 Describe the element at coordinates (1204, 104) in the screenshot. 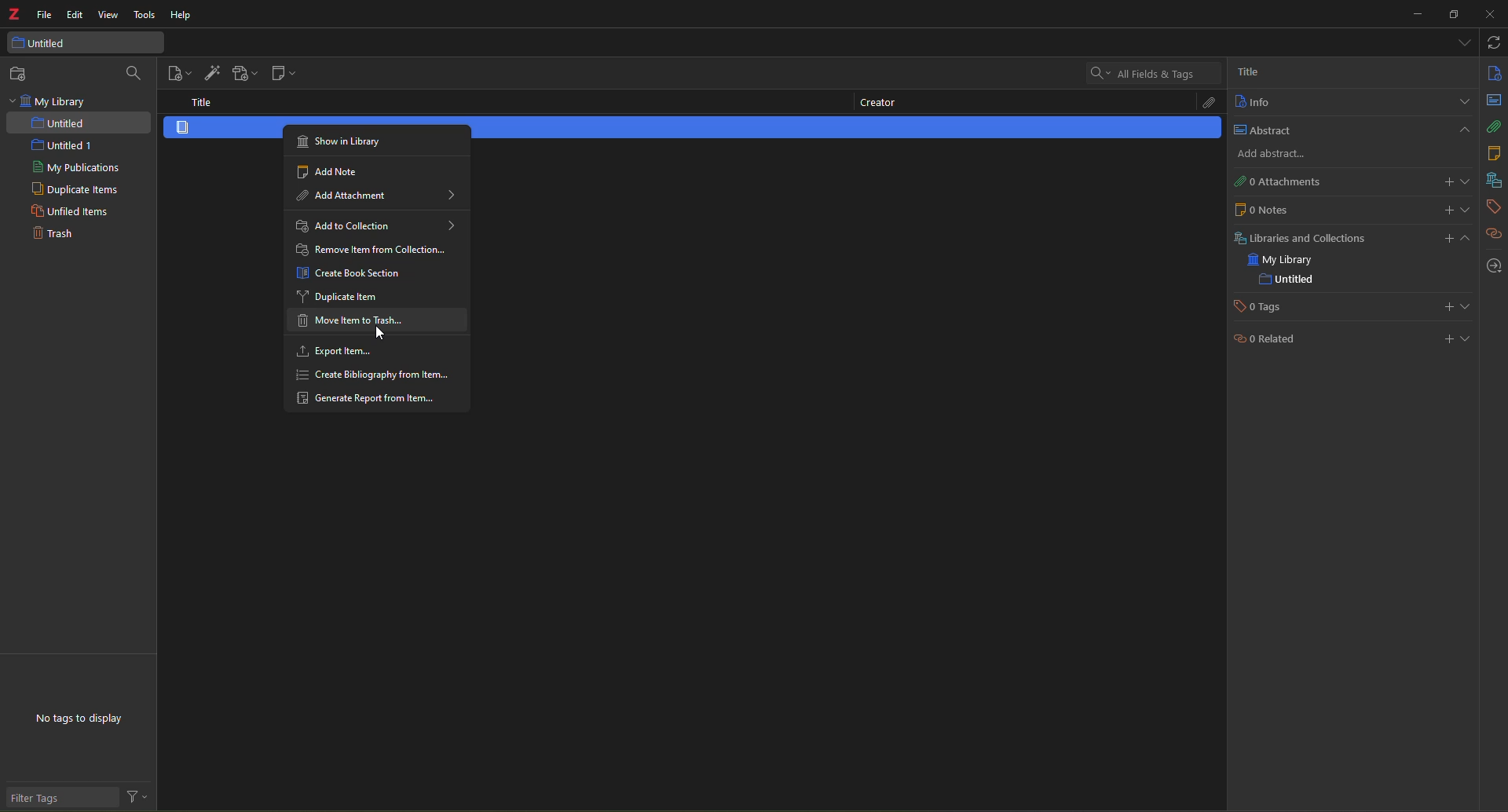

I see `attach` at that location.